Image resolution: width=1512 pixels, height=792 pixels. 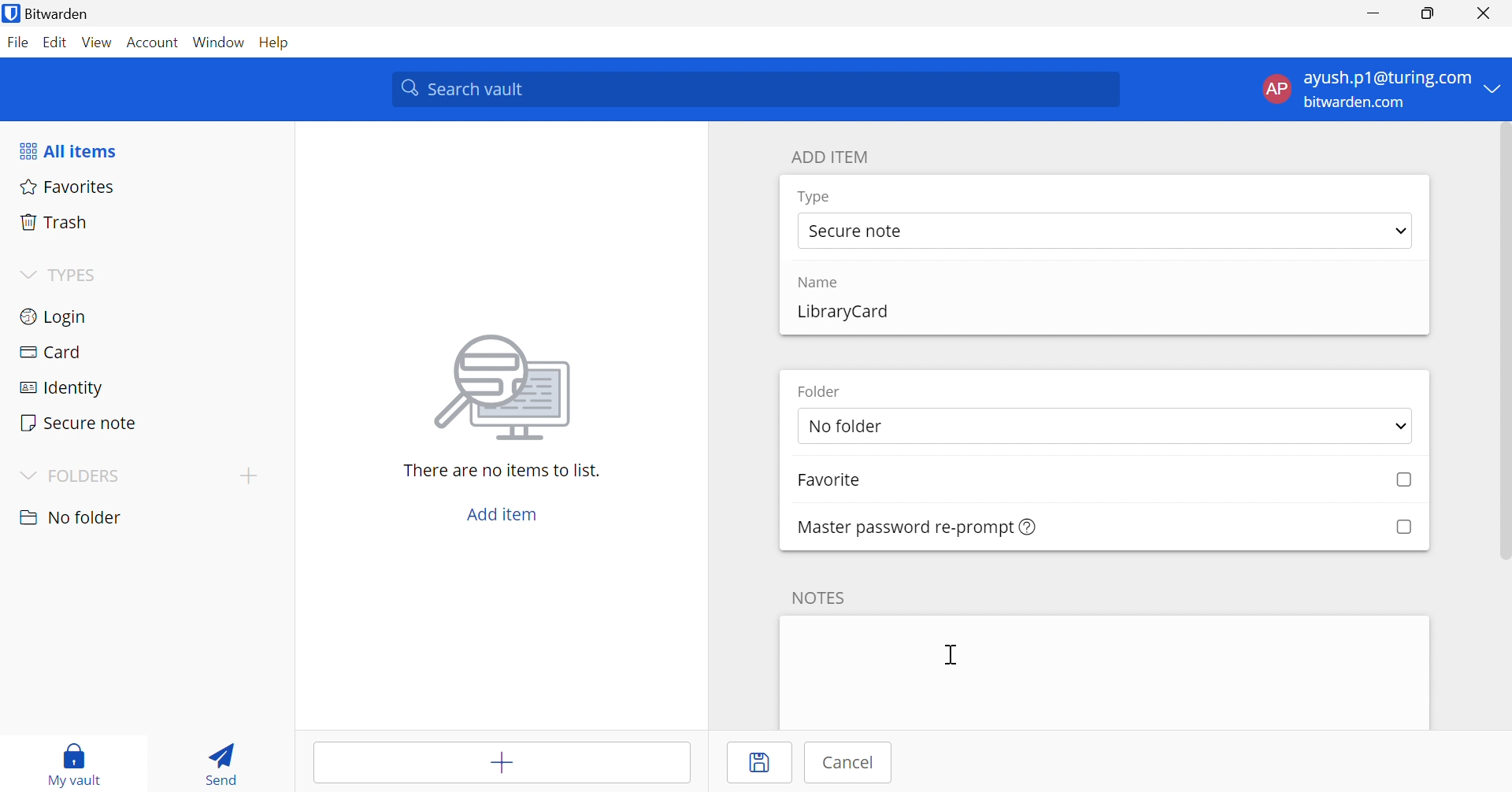 I want to click on There are no items to list., so click(x=502, y=470).